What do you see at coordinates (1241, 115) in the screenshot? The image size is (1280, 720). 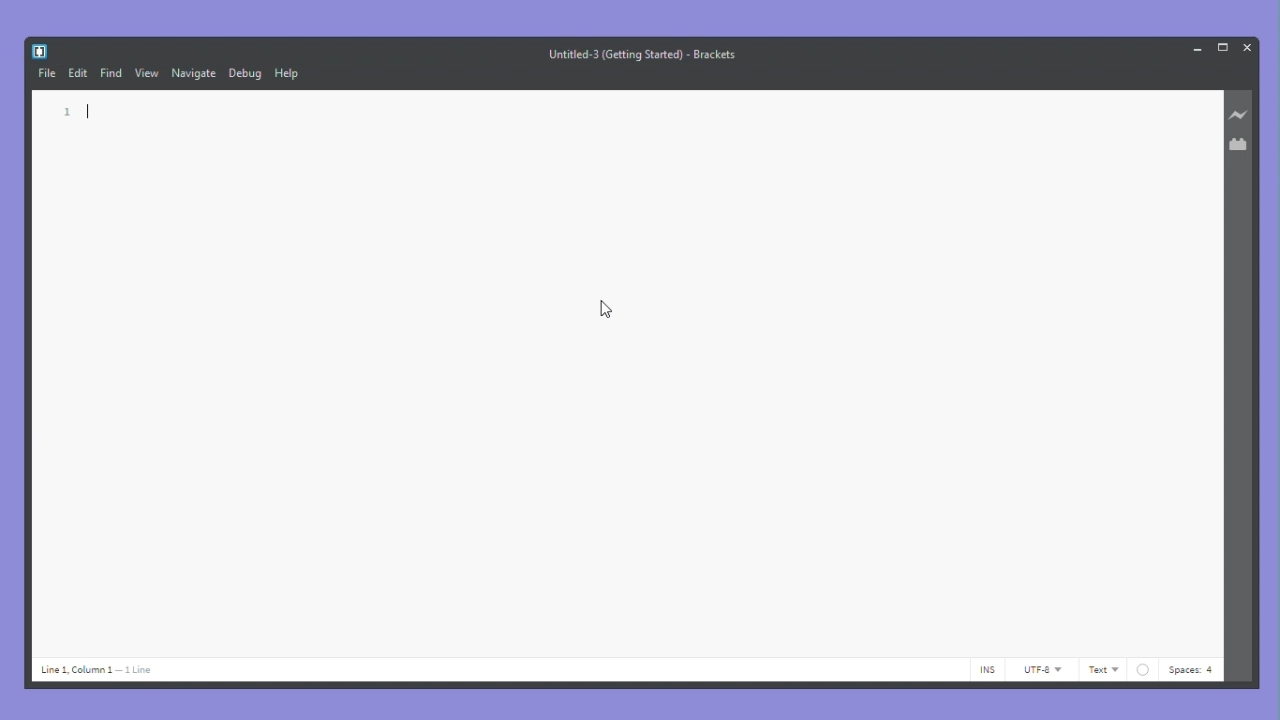 I see `Live preview` at bounding box center [1241, 115].